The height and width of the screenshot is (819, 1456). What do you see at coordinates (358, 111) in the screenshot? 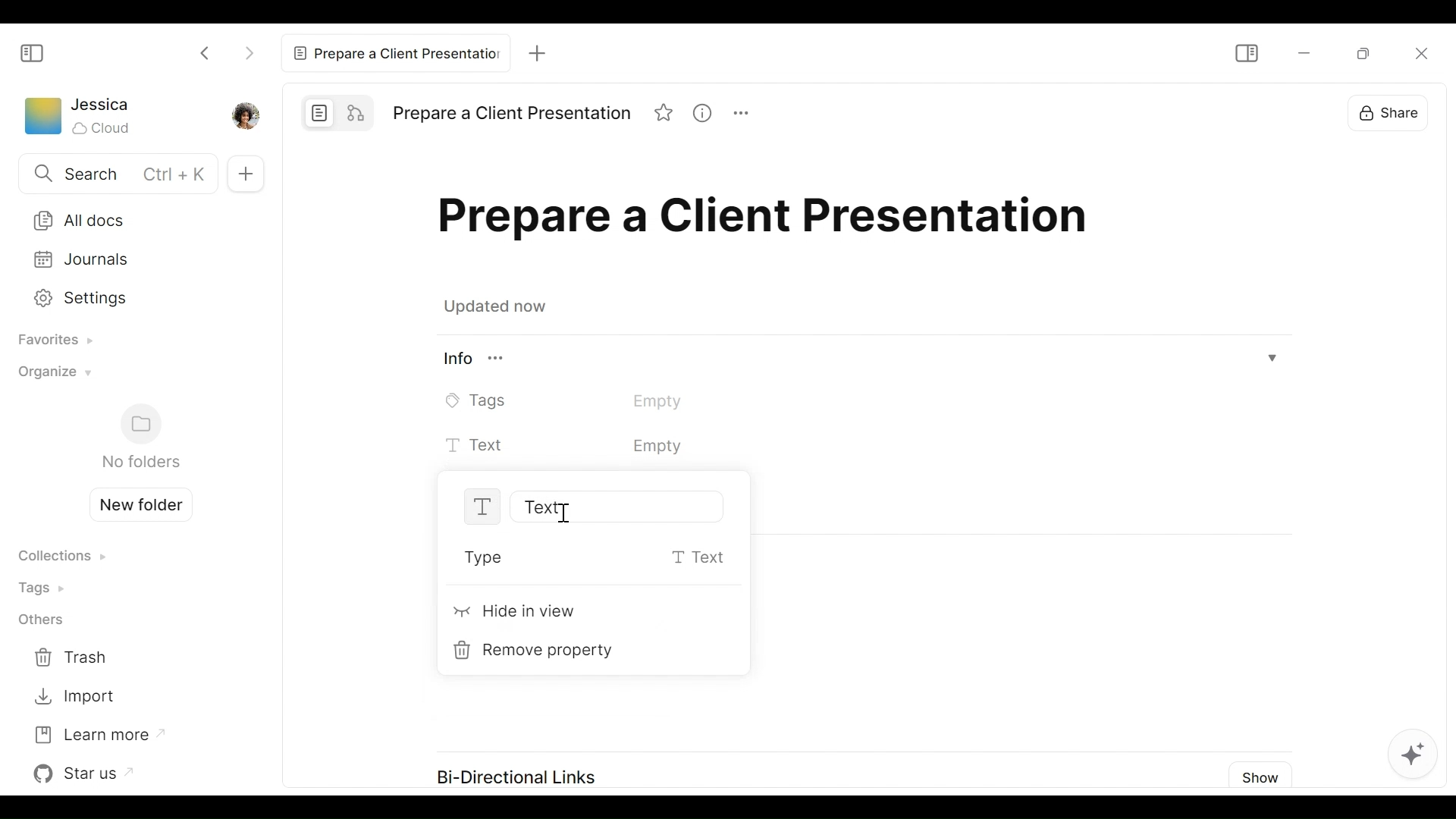
I see `Edgeless mode` at bounding box center [358, 111].